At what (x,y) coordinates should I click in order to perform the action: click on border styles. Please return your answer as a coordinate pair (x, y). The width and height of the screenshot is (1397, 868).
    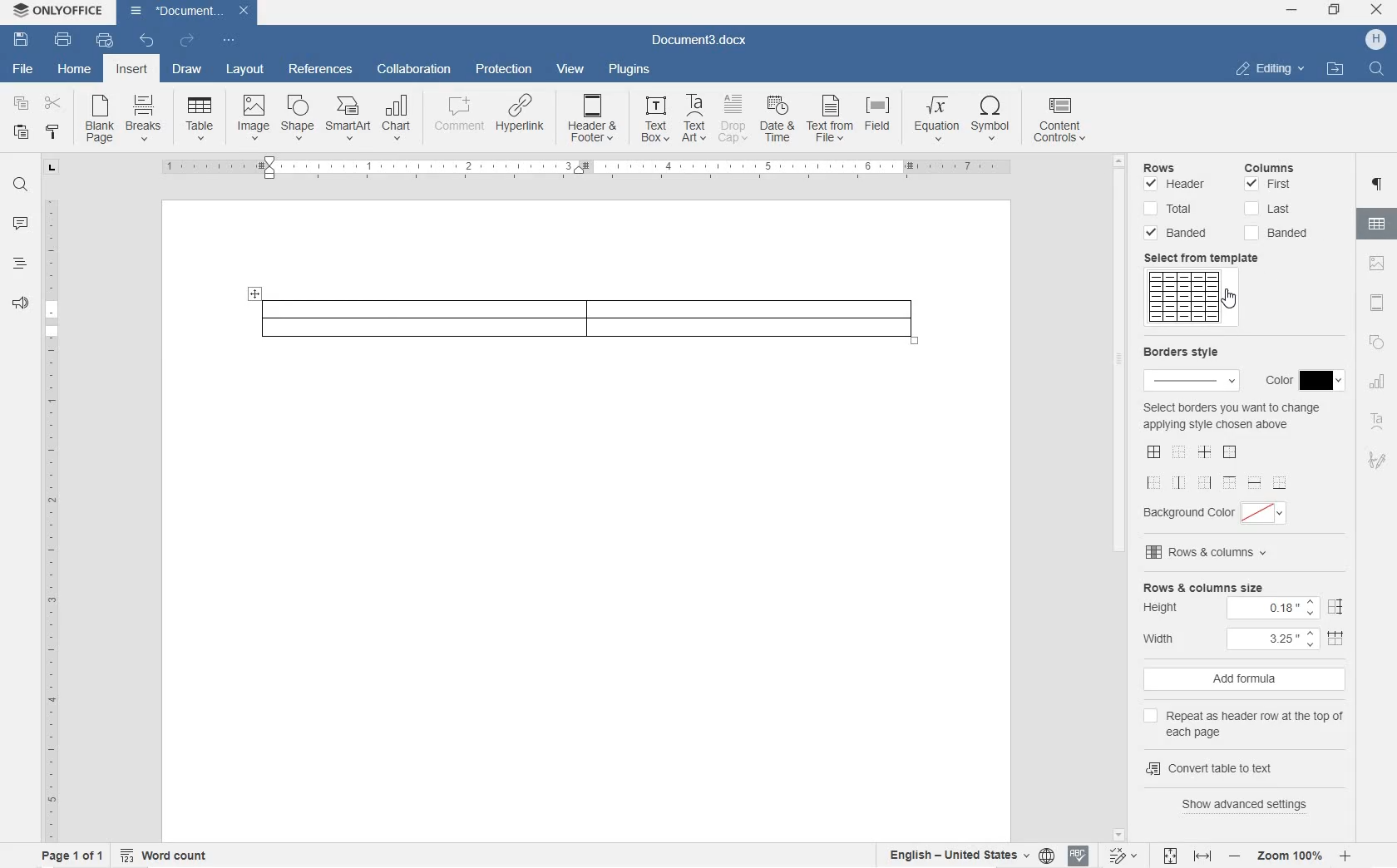
    Looking at the image, I should click on (1219, 466).